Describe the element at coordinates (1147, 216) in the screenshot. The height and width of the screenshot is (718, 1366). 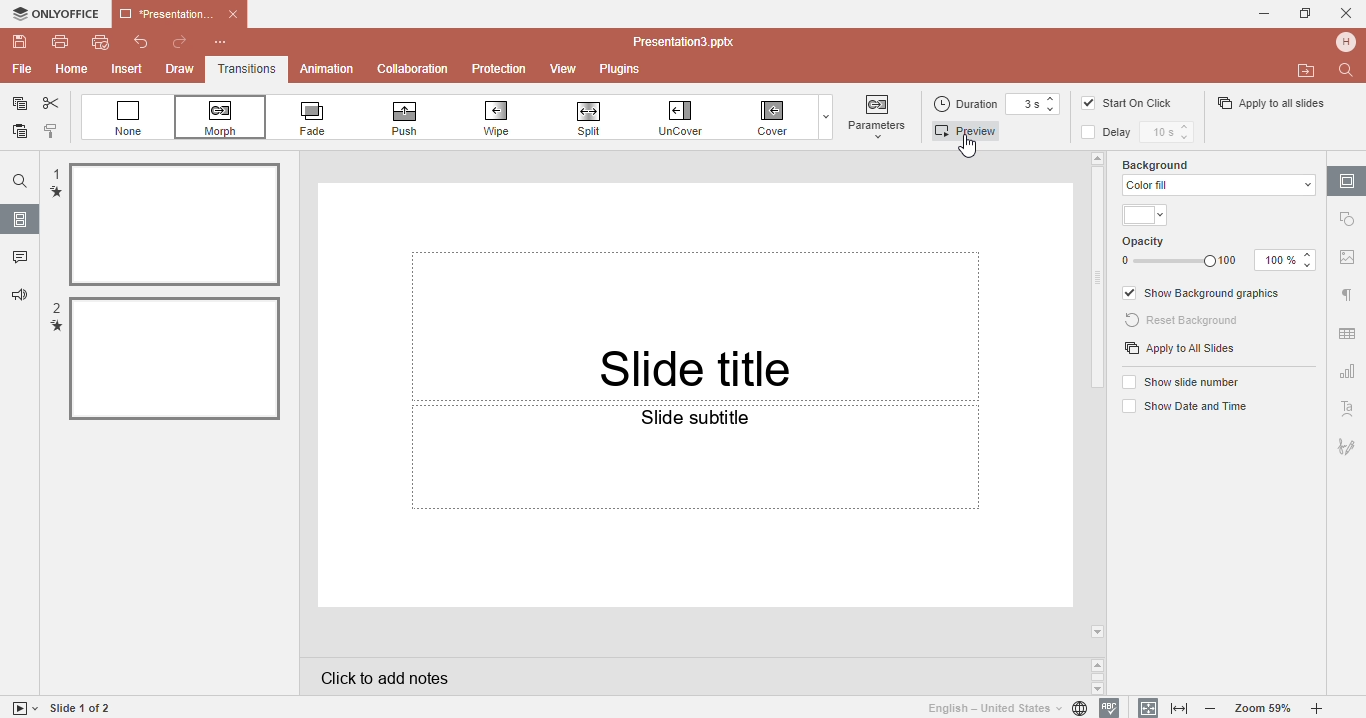
I see `Themes color` at that location.